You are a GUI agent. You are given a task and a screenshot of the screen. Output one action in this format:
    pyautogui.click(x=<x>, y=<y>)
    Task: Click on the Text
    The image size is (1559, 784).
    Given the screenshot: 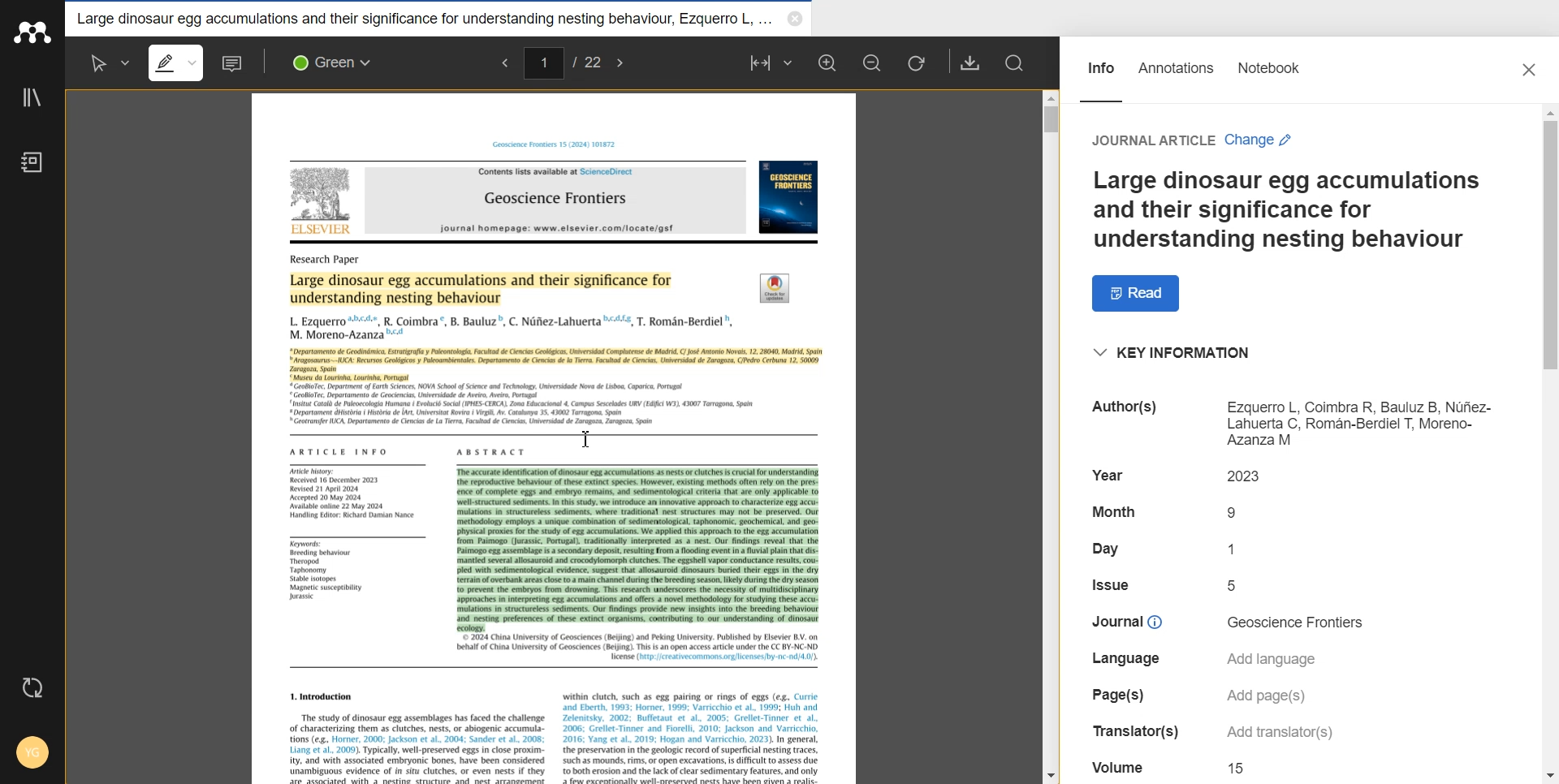 What is the action you would take?
    pyautogui.click(x=1285, y=211)
    